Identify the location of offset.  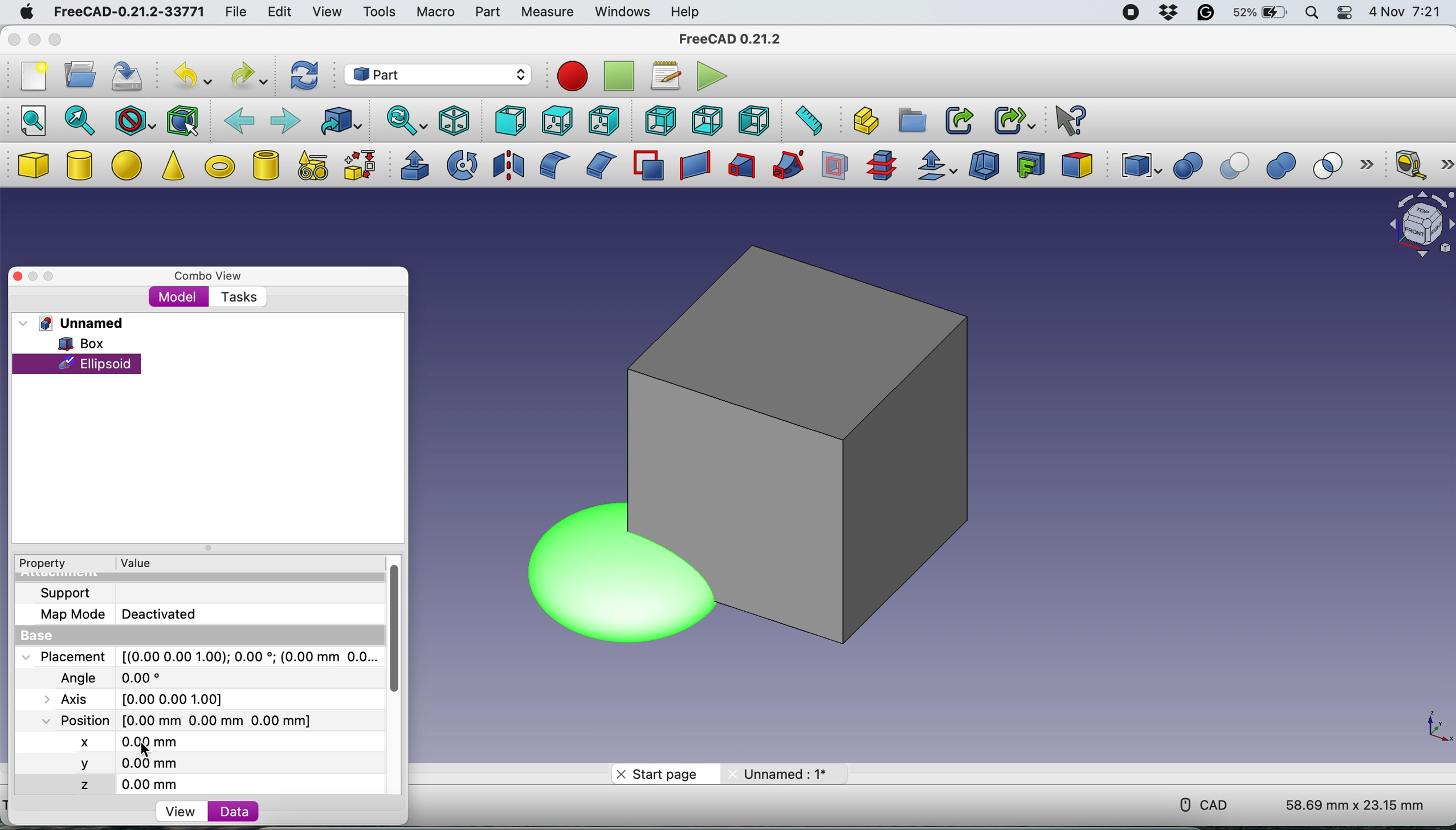
(937, 167).